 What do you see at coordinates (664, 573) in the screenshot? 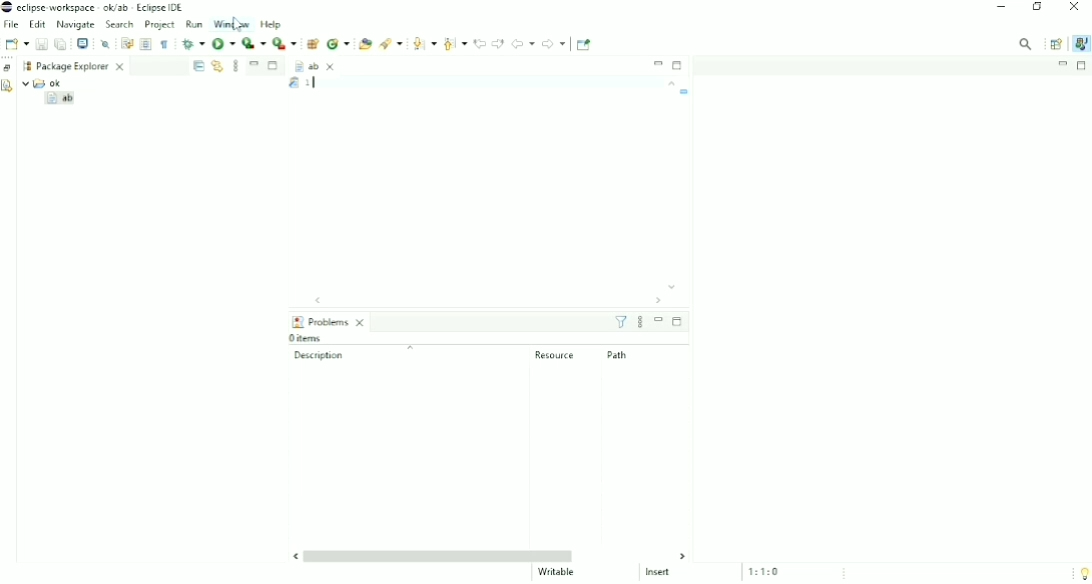
I see `Insert` at bounding box center [664, 573].